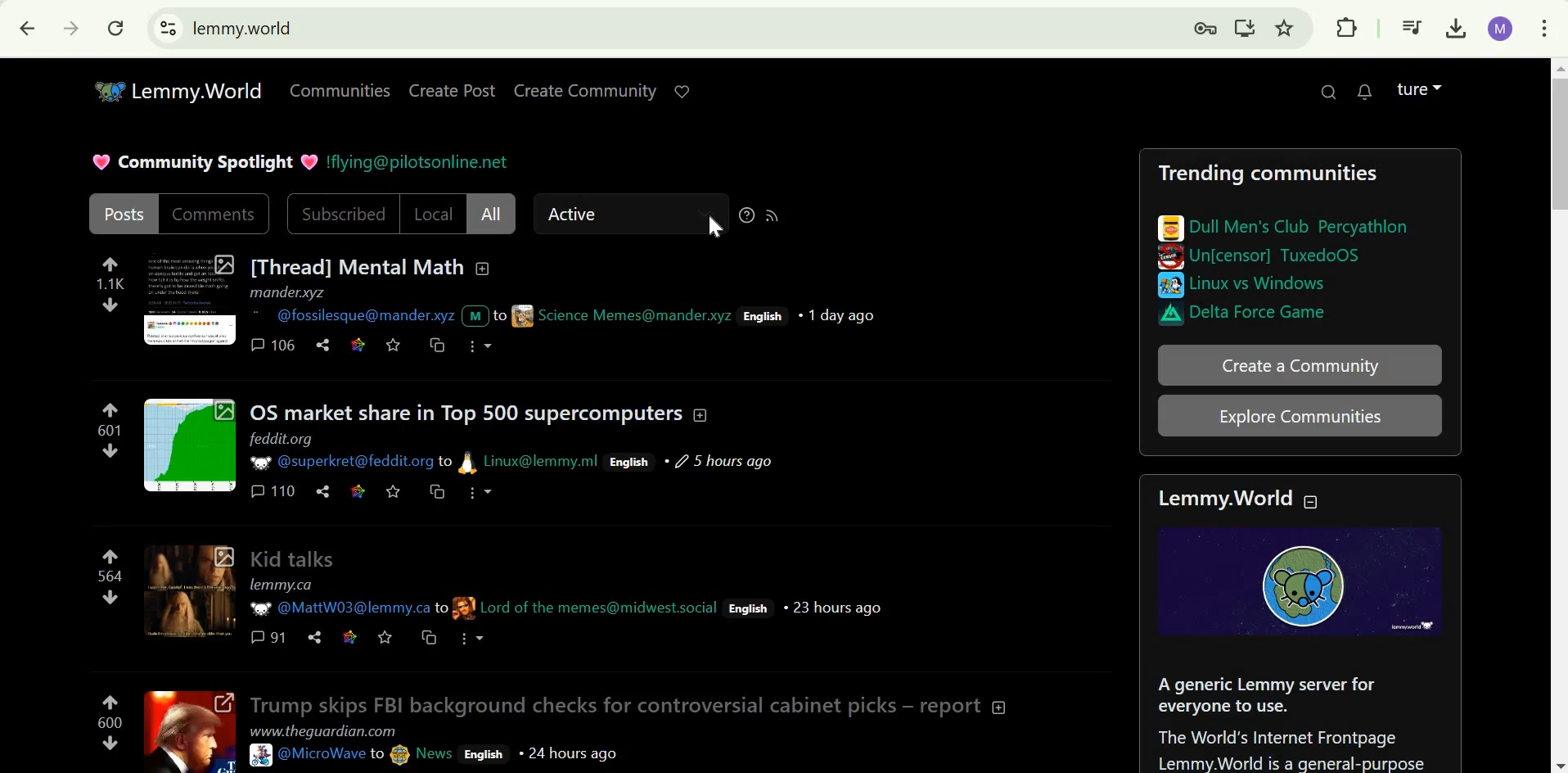 The height and width of the screenshot is (773, 1568). I want to click on Local, so click(431, 213).